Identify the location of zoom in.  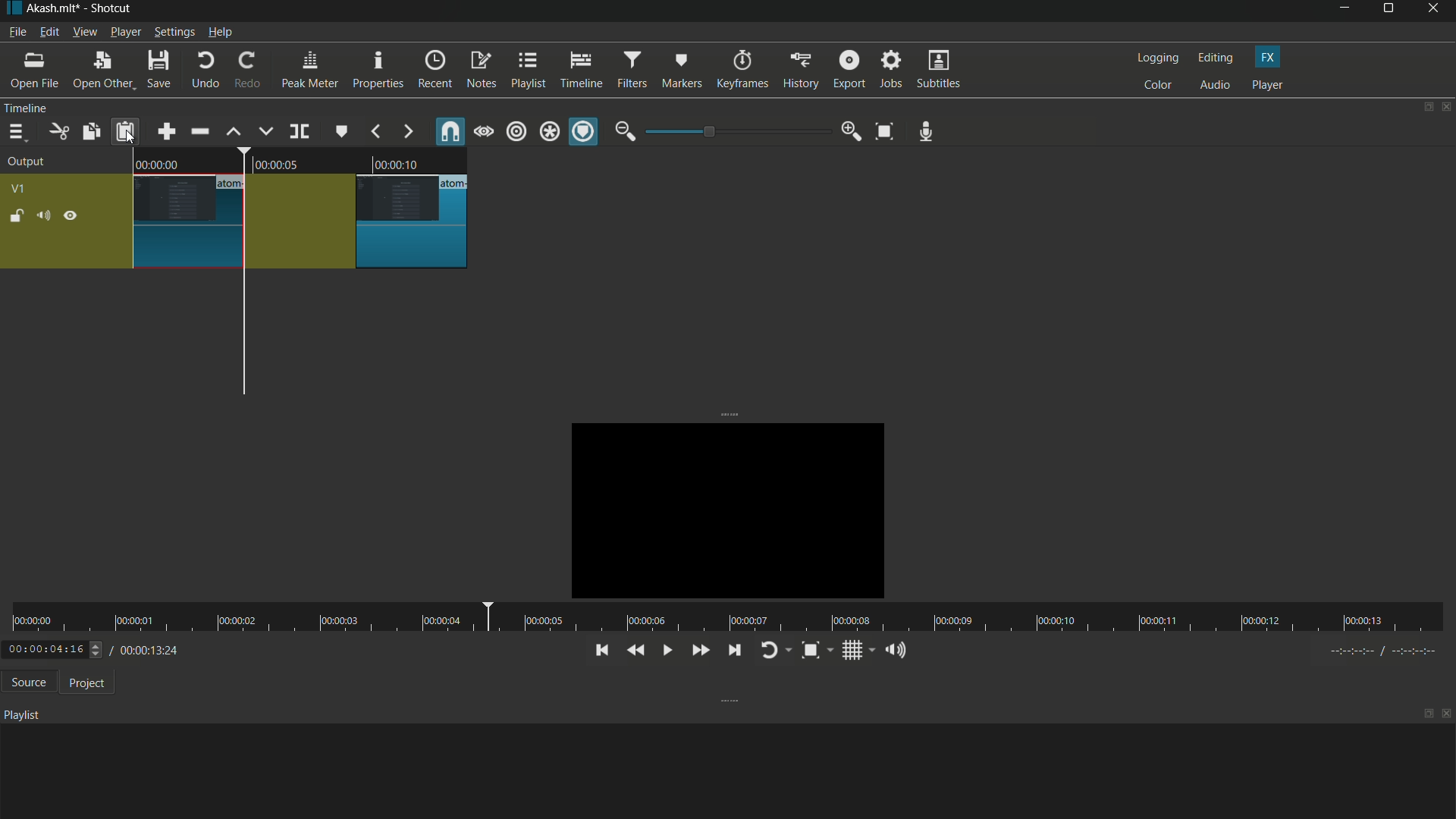
(852, 131).